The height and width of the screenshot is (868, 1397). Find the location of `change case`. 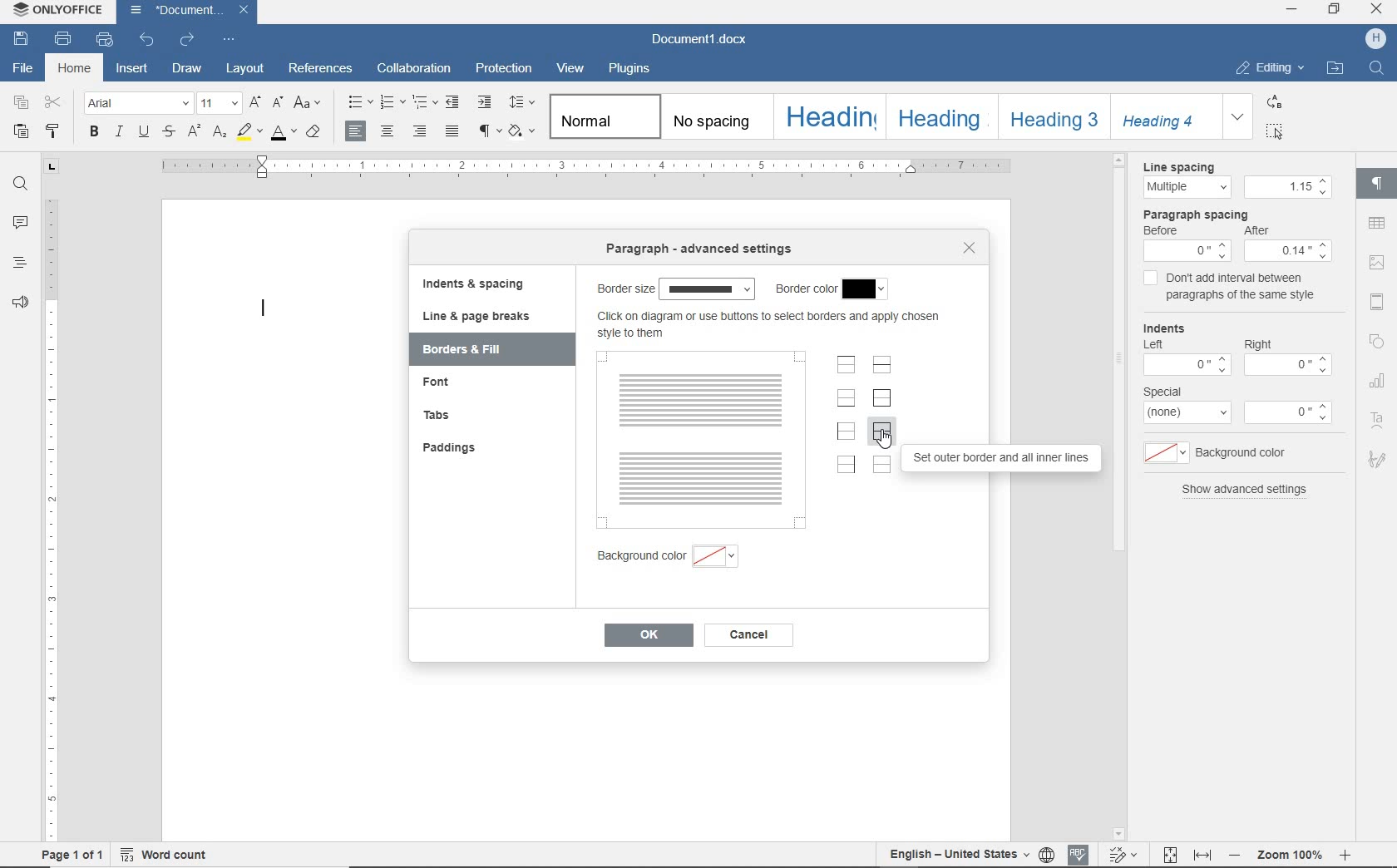

change case is located at coordinates (309, 104).